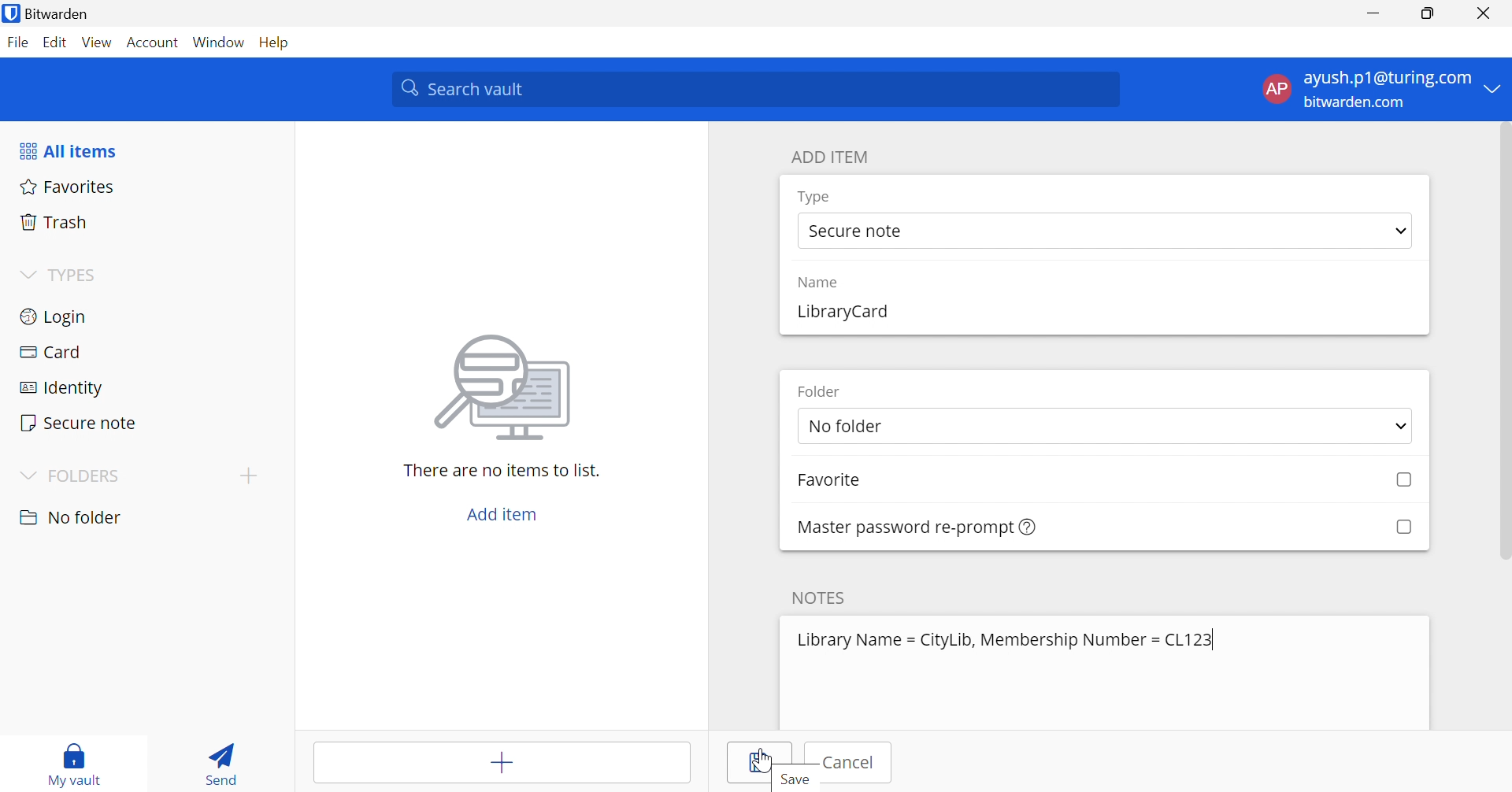 The image size is (1512, 792). I want to click on Checkbox, so click(1402, 527).